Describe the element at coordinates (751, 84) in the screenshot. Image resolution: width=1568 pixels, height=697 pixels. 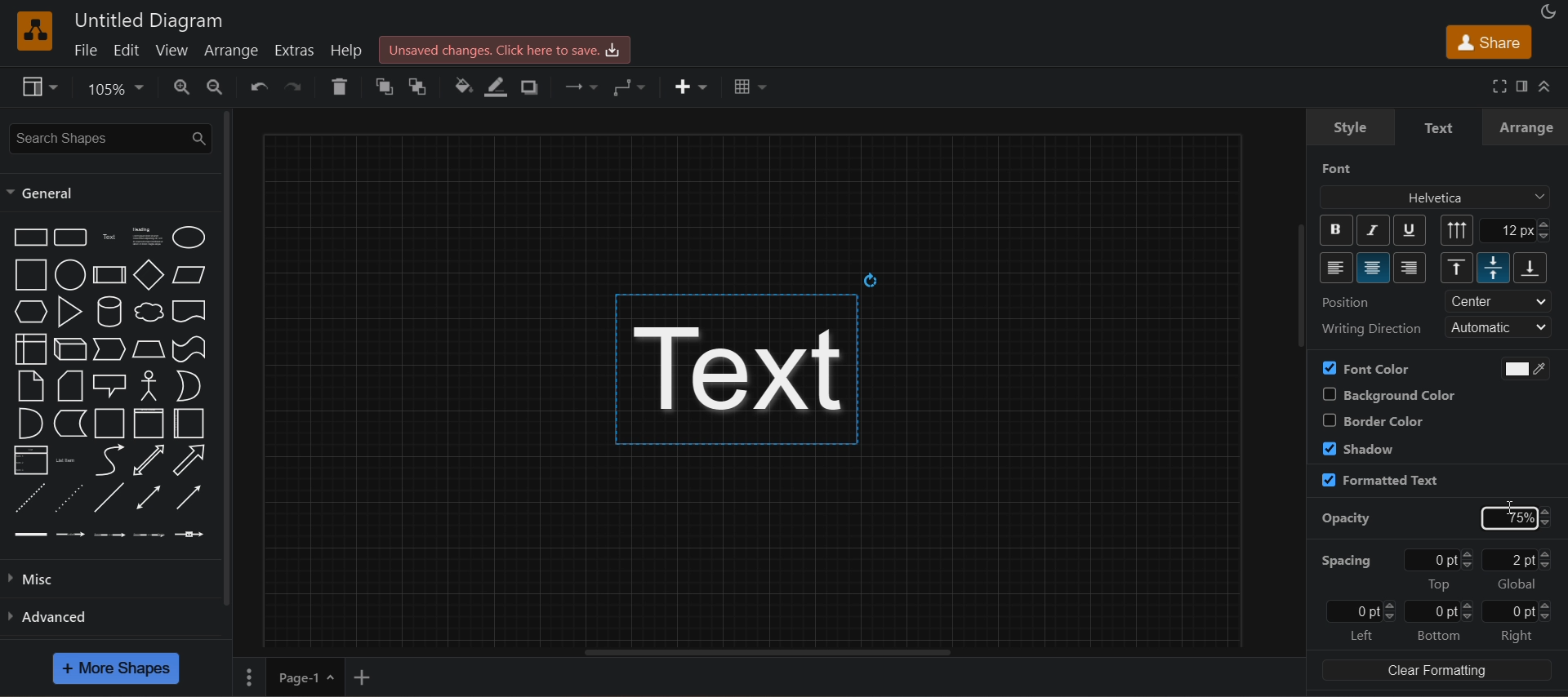
I see `table` at that location.